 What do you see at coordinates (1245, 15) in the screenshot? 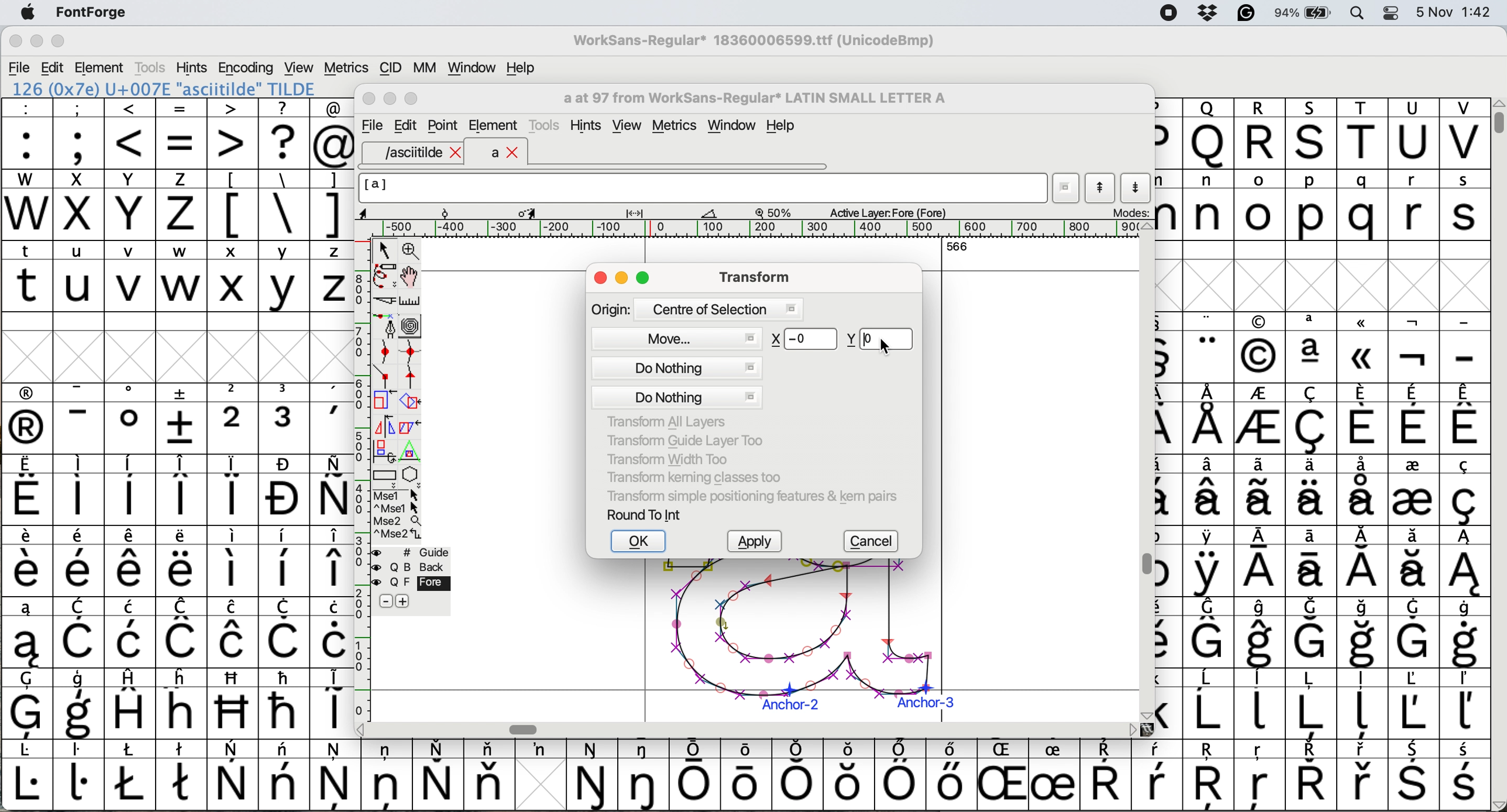
I see `grammarly` at bounding box center [1245, 15].